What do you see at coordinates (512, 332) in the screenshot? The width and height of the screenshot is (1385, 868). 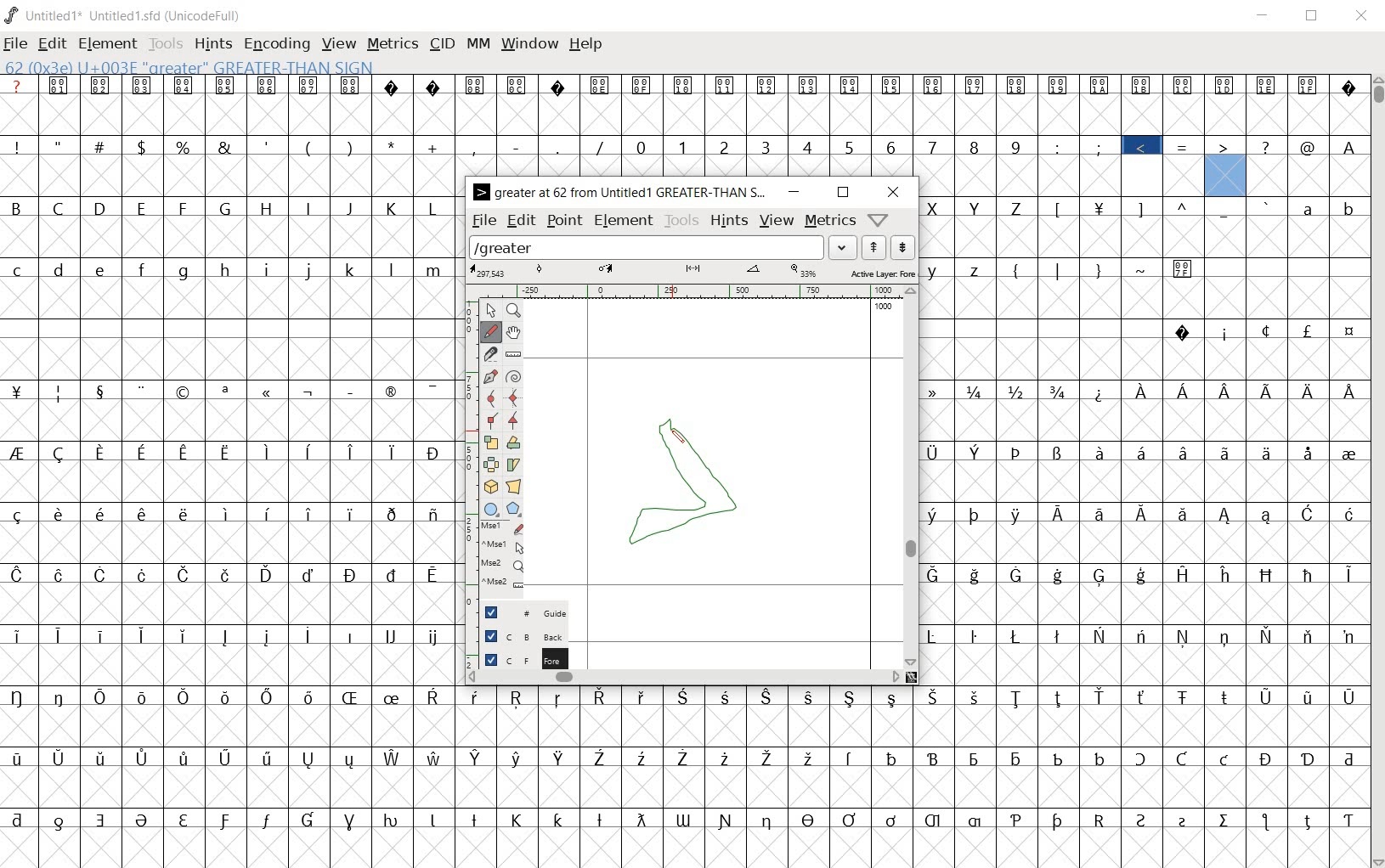 I see `scroll by hand` at bounding box center [512, 332].